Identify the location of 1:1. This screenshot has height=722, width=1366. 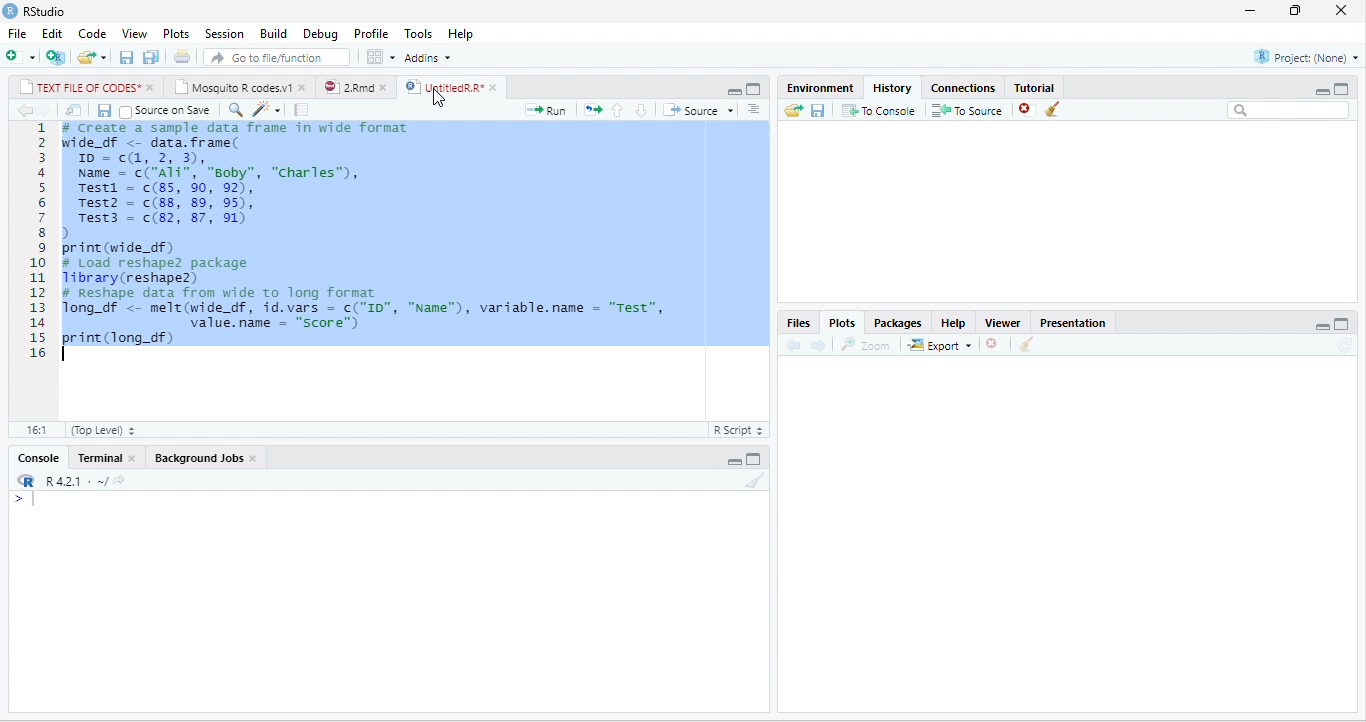
(35, 430).